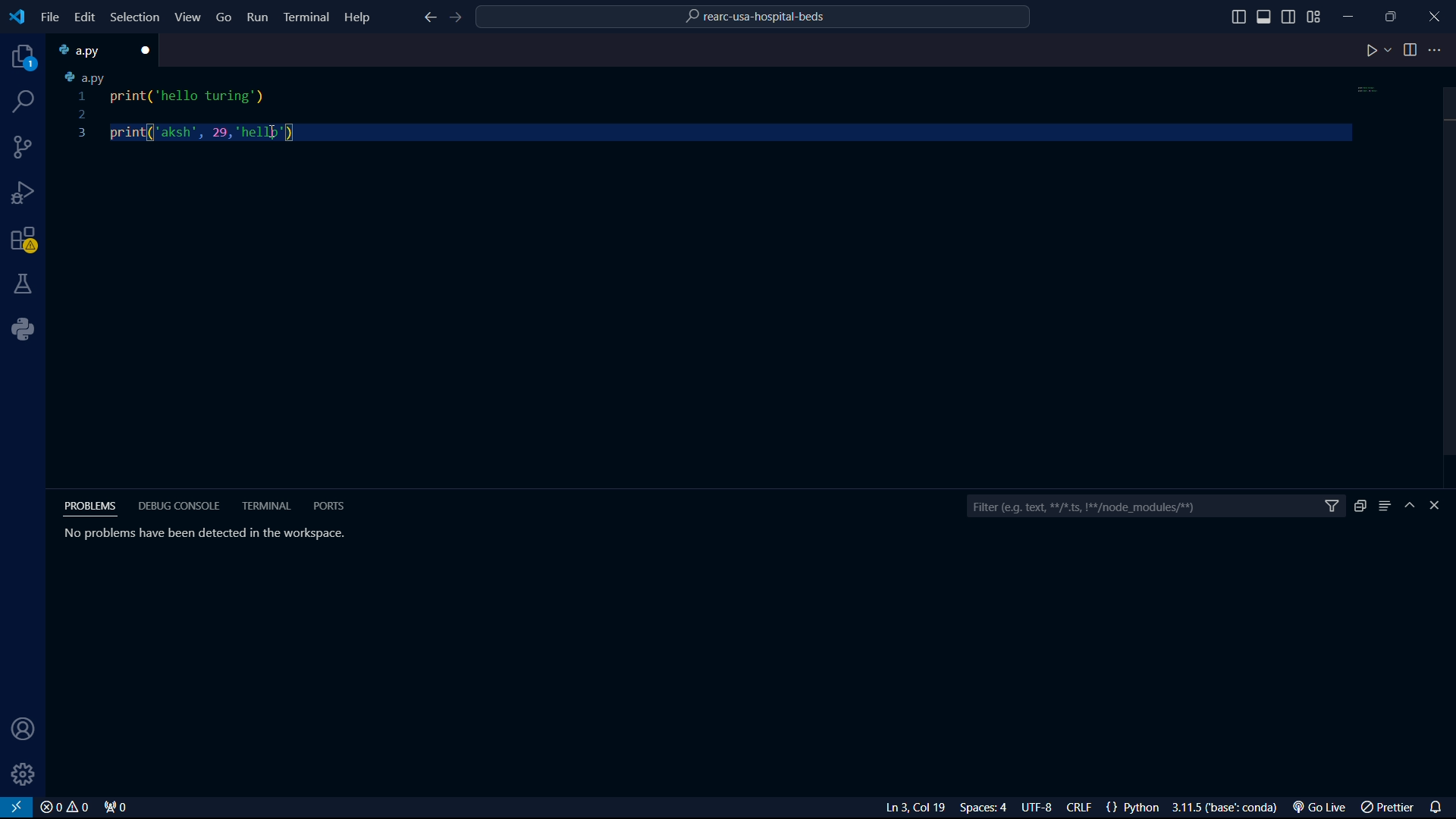 The width and height of the screenshot is (1456, 819). I want to click on grid view, so click(1314, 17).